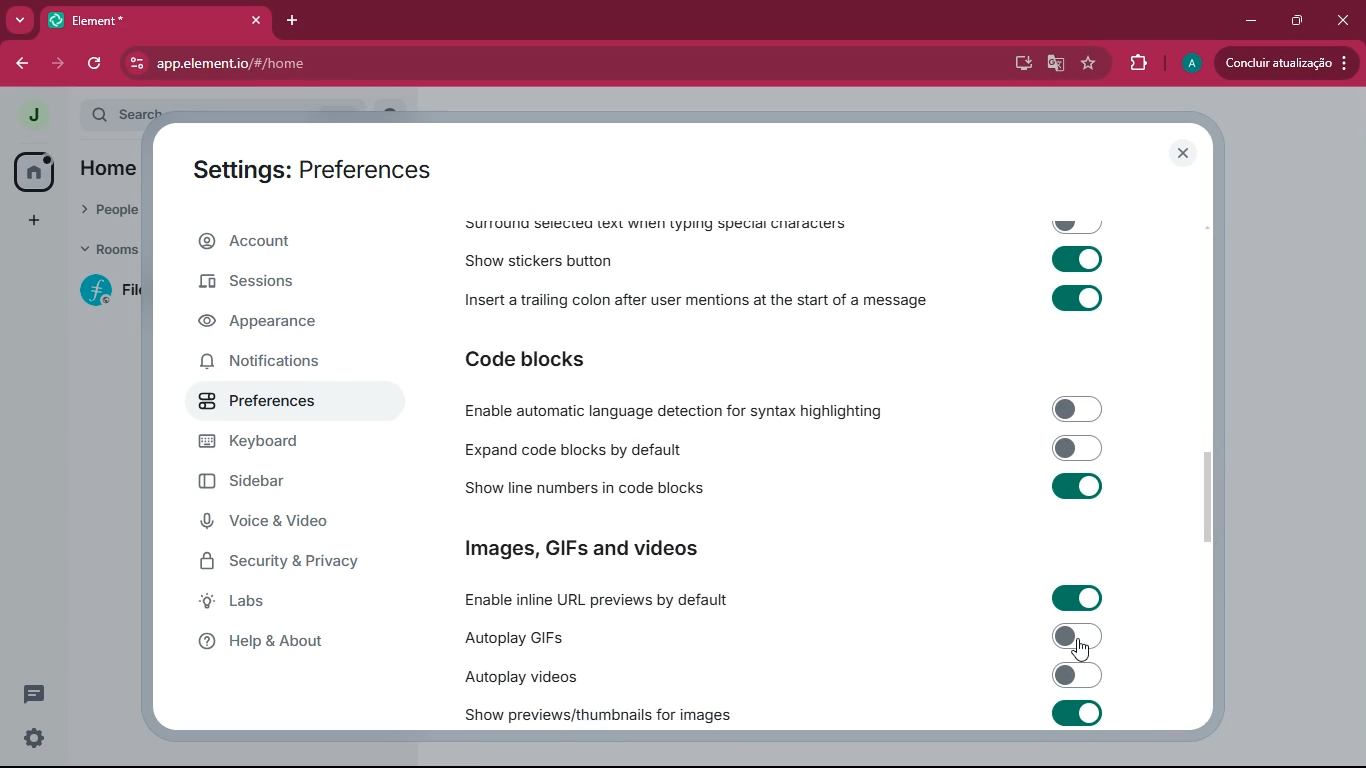 The image size is (1366, 768). What do you see at coordinates (293, 22) in the screenshot?
I see `add tab` at bounding box center [293, 22].